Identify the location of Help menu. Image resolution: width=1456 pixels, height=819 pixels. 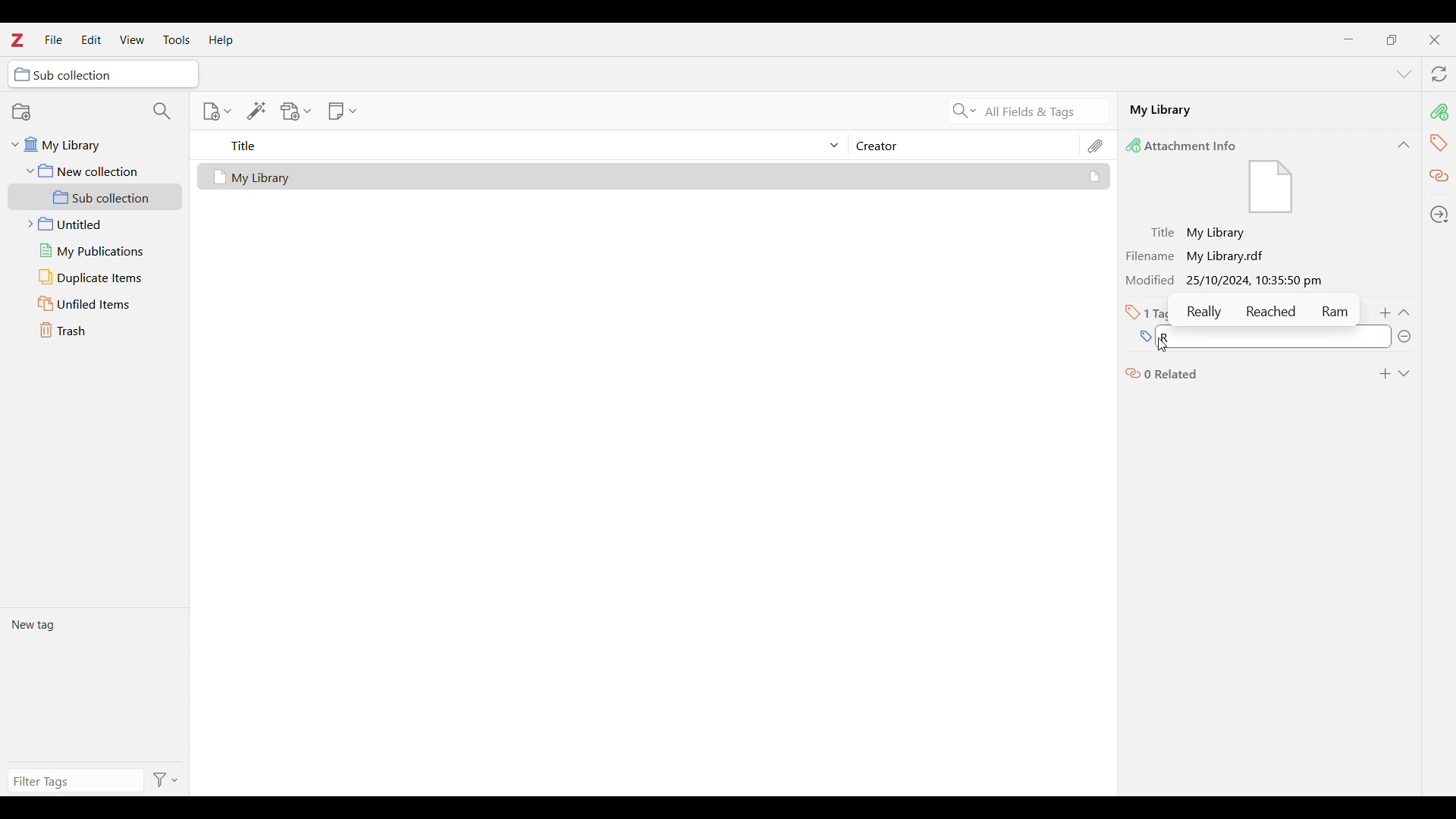
(221, 40).